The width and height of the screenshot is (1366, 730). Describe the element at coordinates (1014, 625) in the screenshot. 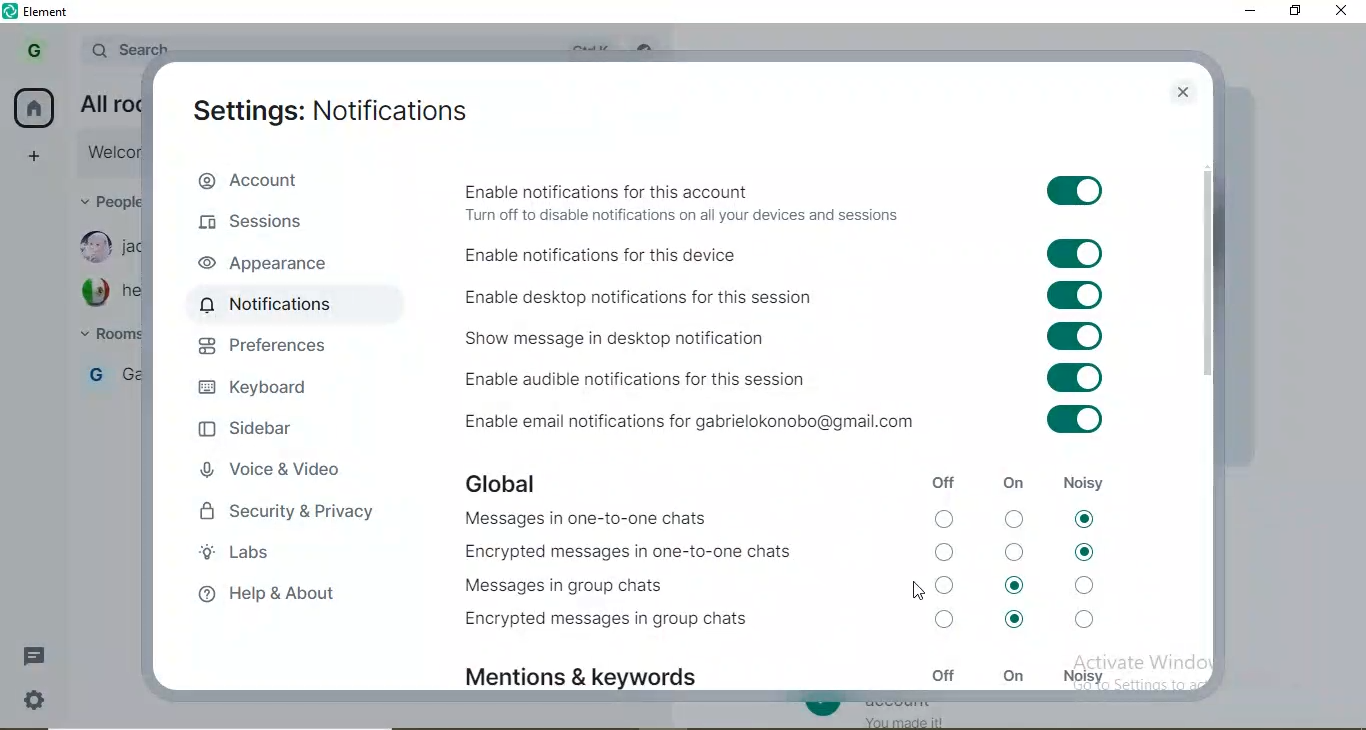

I see `switch on` at that location.